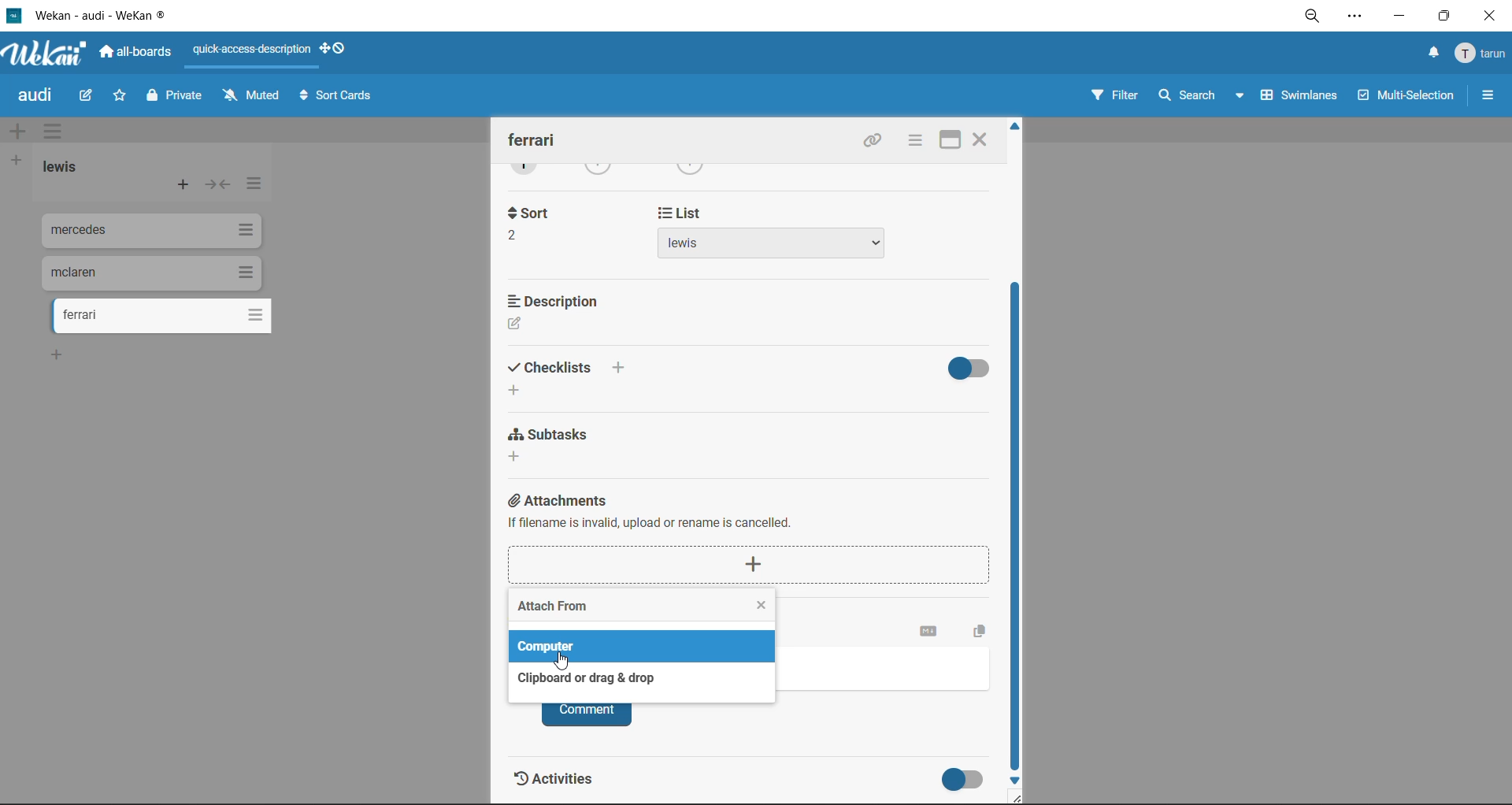 This screenshot has width=1512, height=805. Describe the element at coordinates (32, 95) in the screenshot. I see `board title` at that location.